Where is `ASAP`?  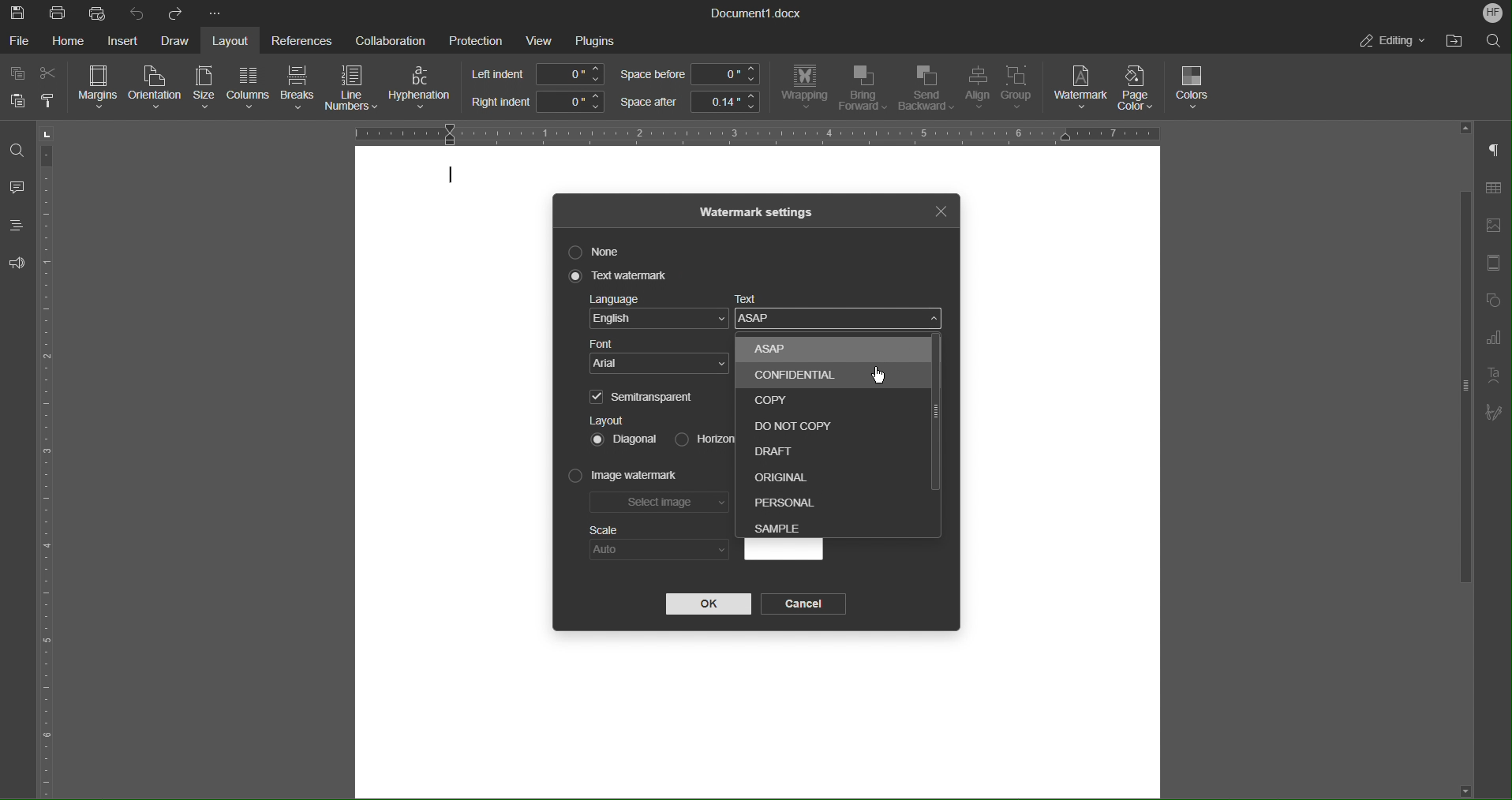
ASAP is located at coordinates (821, 350).